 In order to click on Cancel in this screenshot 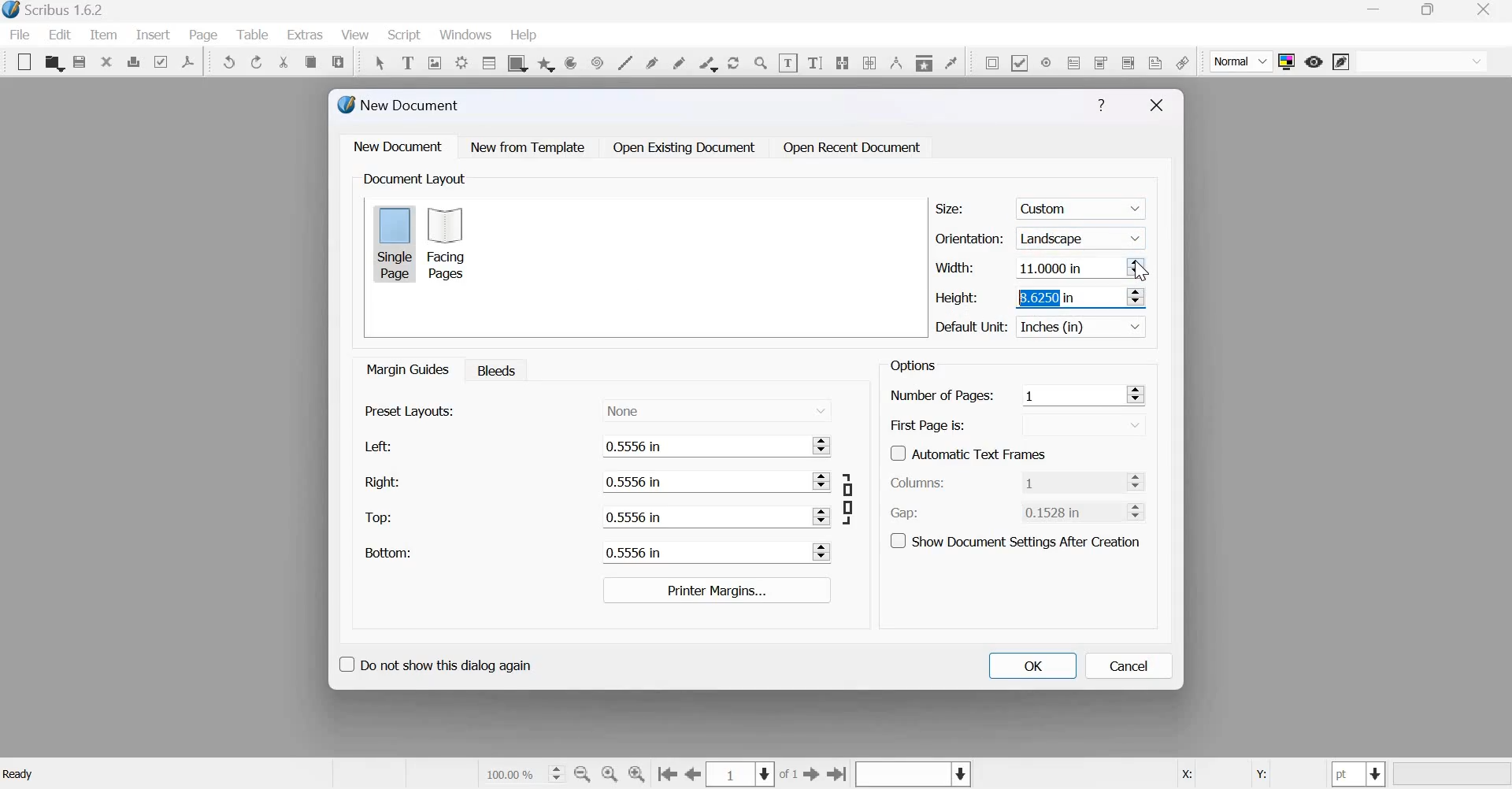, I will do `click(1129, 666)`.